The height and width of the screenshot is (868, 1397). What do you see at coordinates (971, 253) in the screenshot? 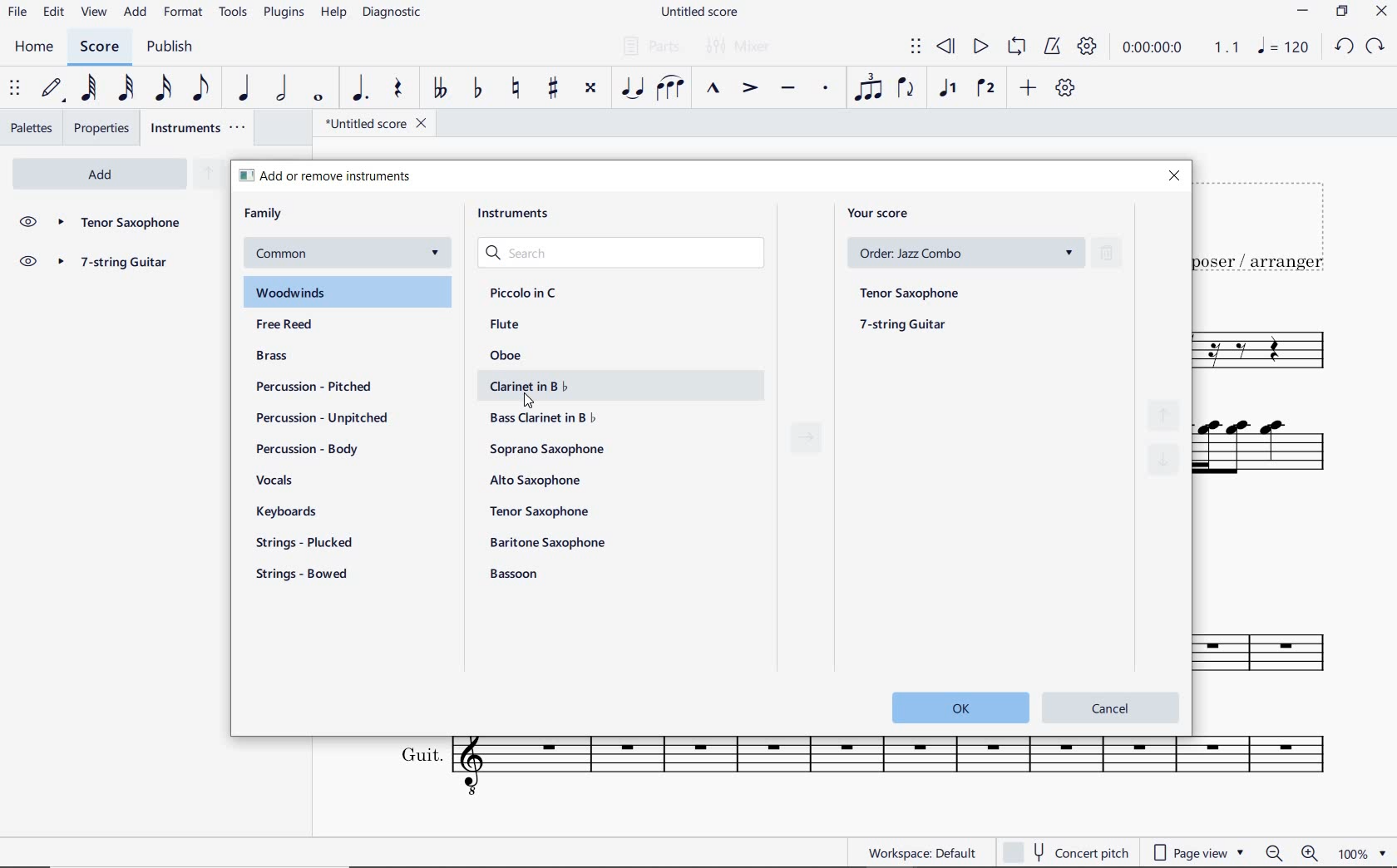
I see `order: Jazz Combo` at bounding box center [971, 253].